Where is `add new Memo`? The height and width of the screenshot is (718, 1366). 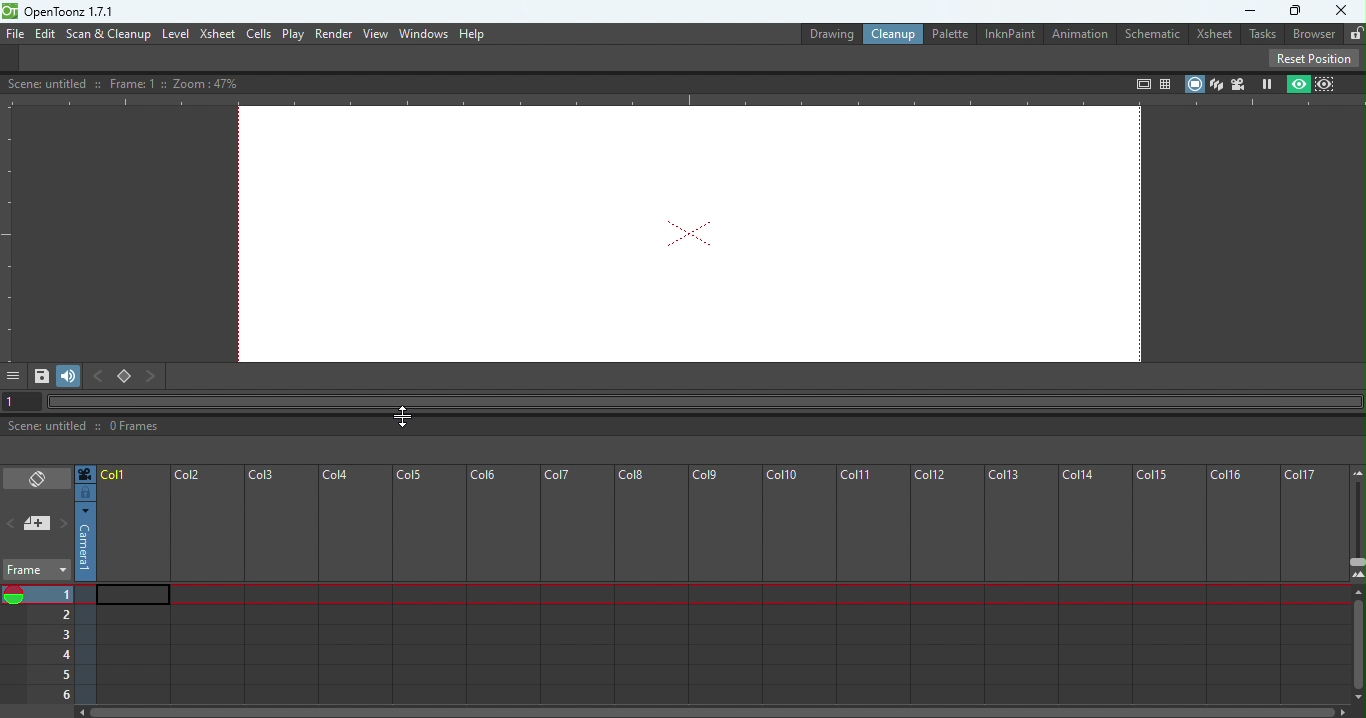
add new Memo is located at coordinates (35, 523).